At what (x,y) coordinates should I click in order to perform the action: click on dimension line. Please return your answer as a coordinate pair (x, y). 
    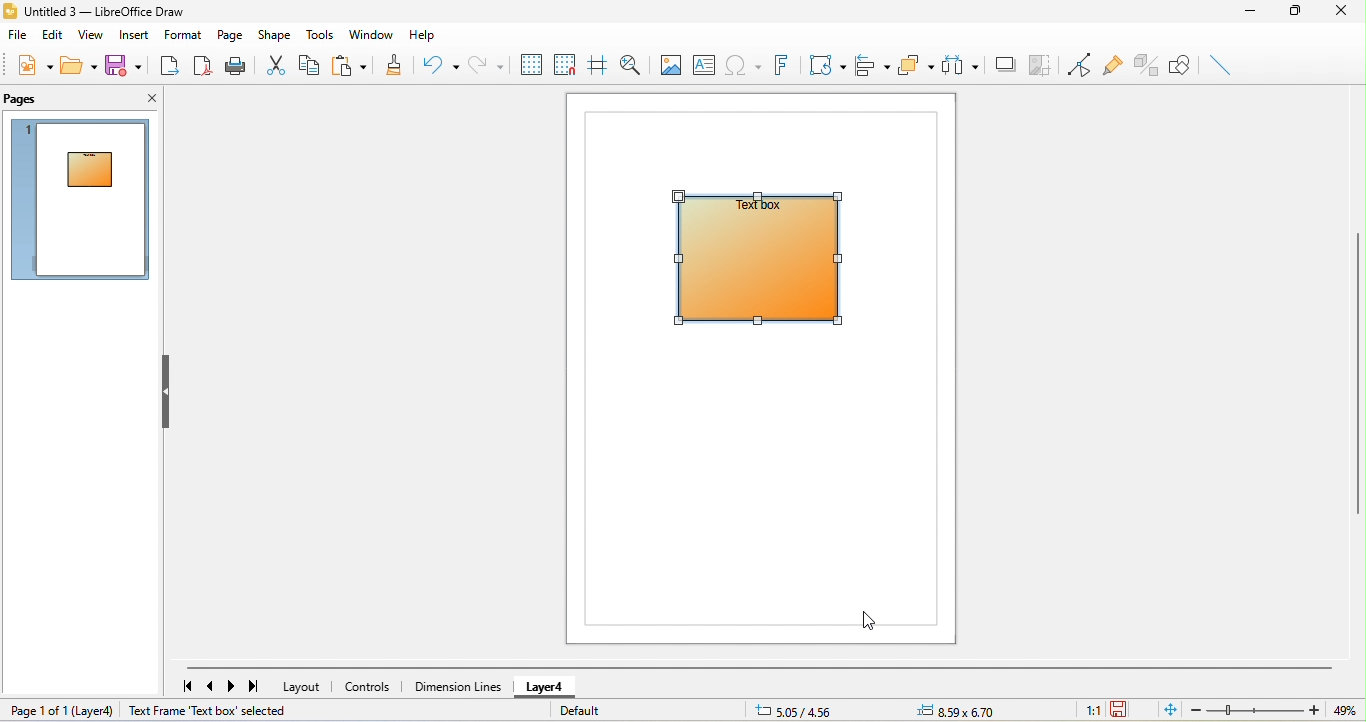
    Looking at the image, I should click on (456, 685).